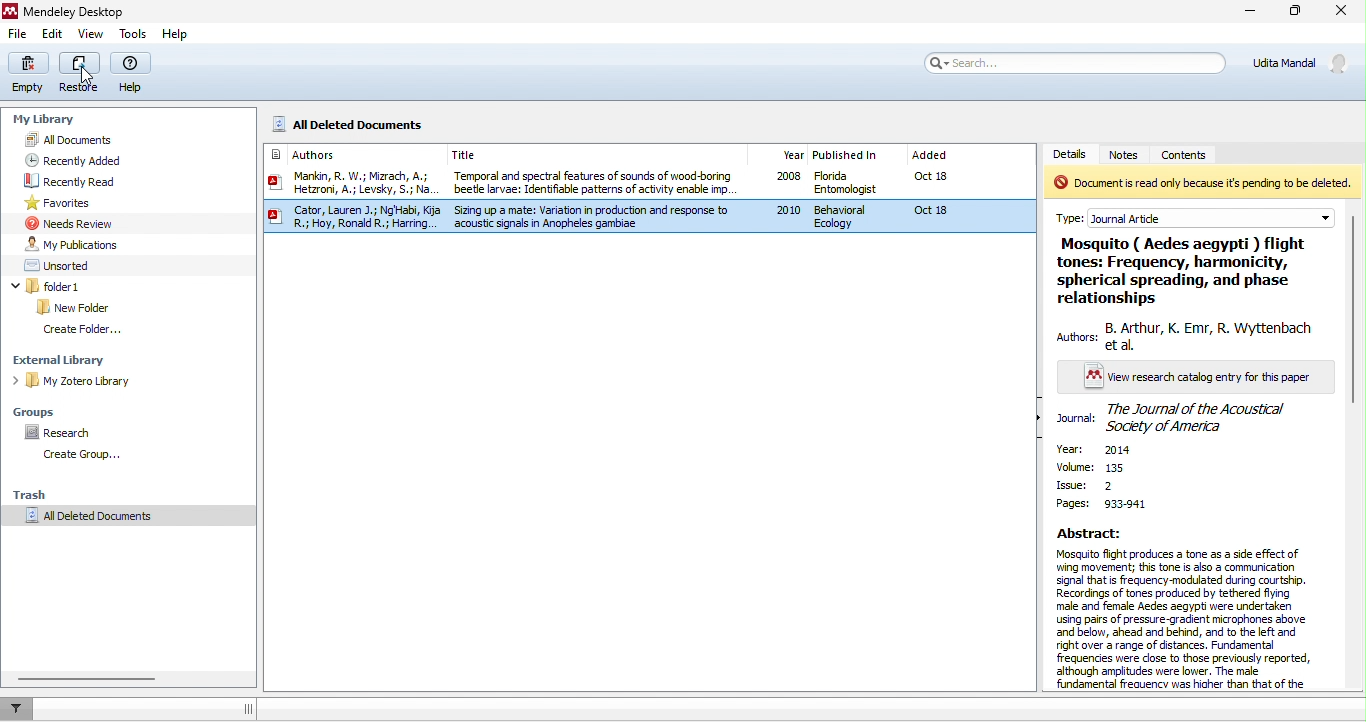 Image resolution: width=1366 pixels, height=722 pixels. What do you see at coordinates (1041, 419) in the screenshot?
I see `hide/show` at bounding box center [1041, 419].